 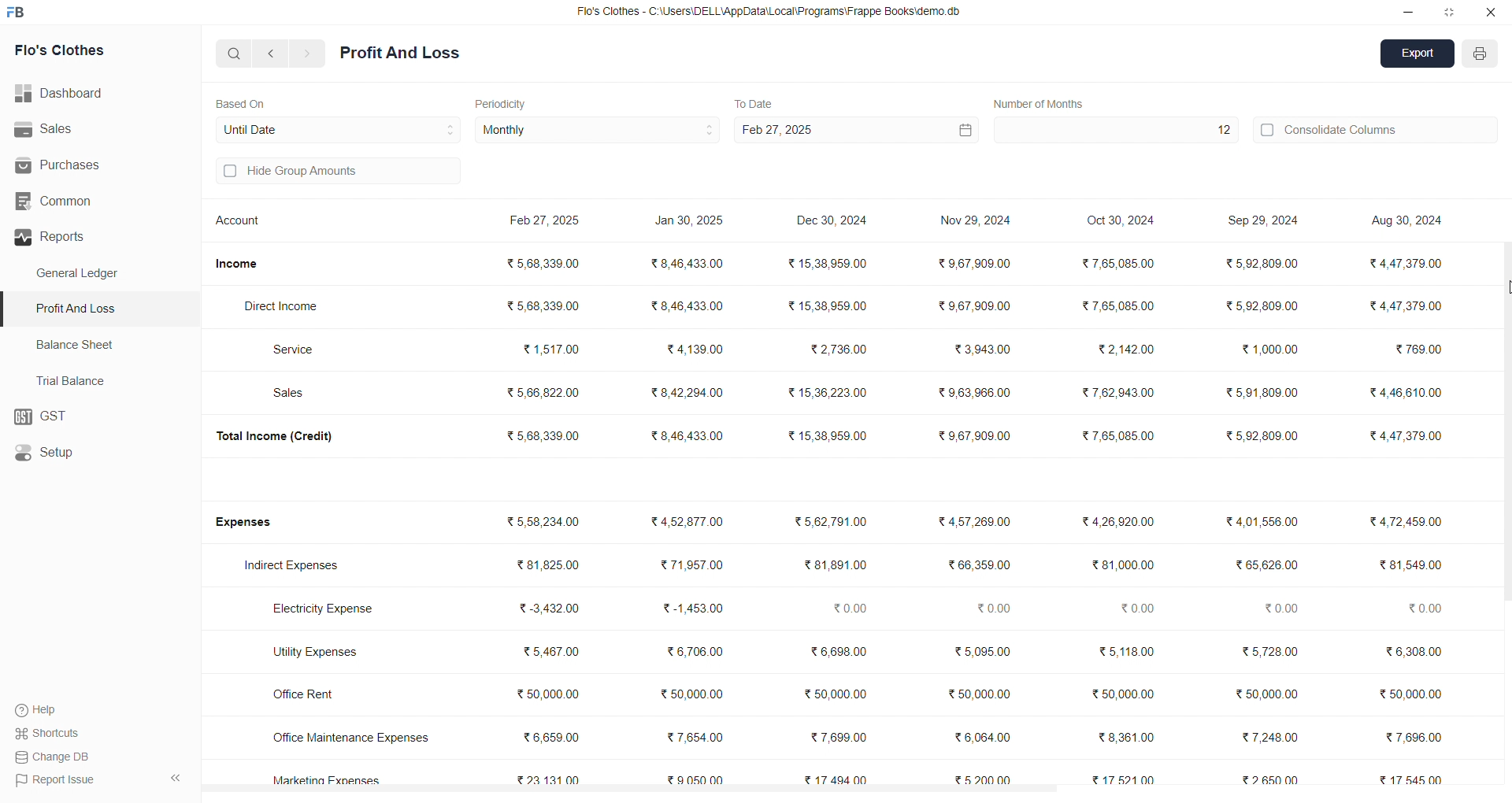 What do you see at coordinates (843, 652) in the screenshot?
I see `₹6,608.00` at bounding box center [843, 652].